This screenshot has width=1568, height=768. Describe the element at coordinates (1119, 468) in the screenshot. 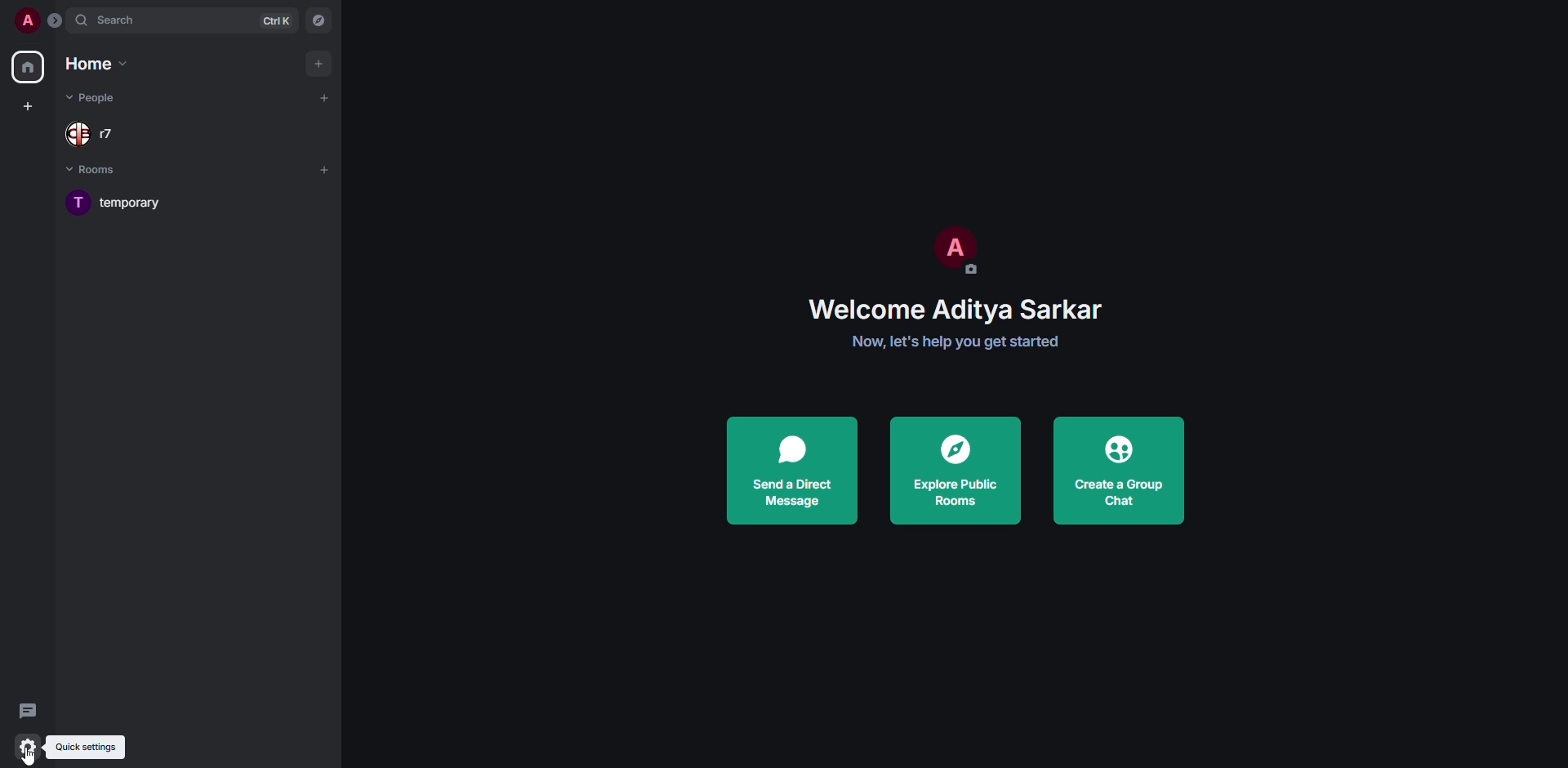

I see `create a group chat` at that location.